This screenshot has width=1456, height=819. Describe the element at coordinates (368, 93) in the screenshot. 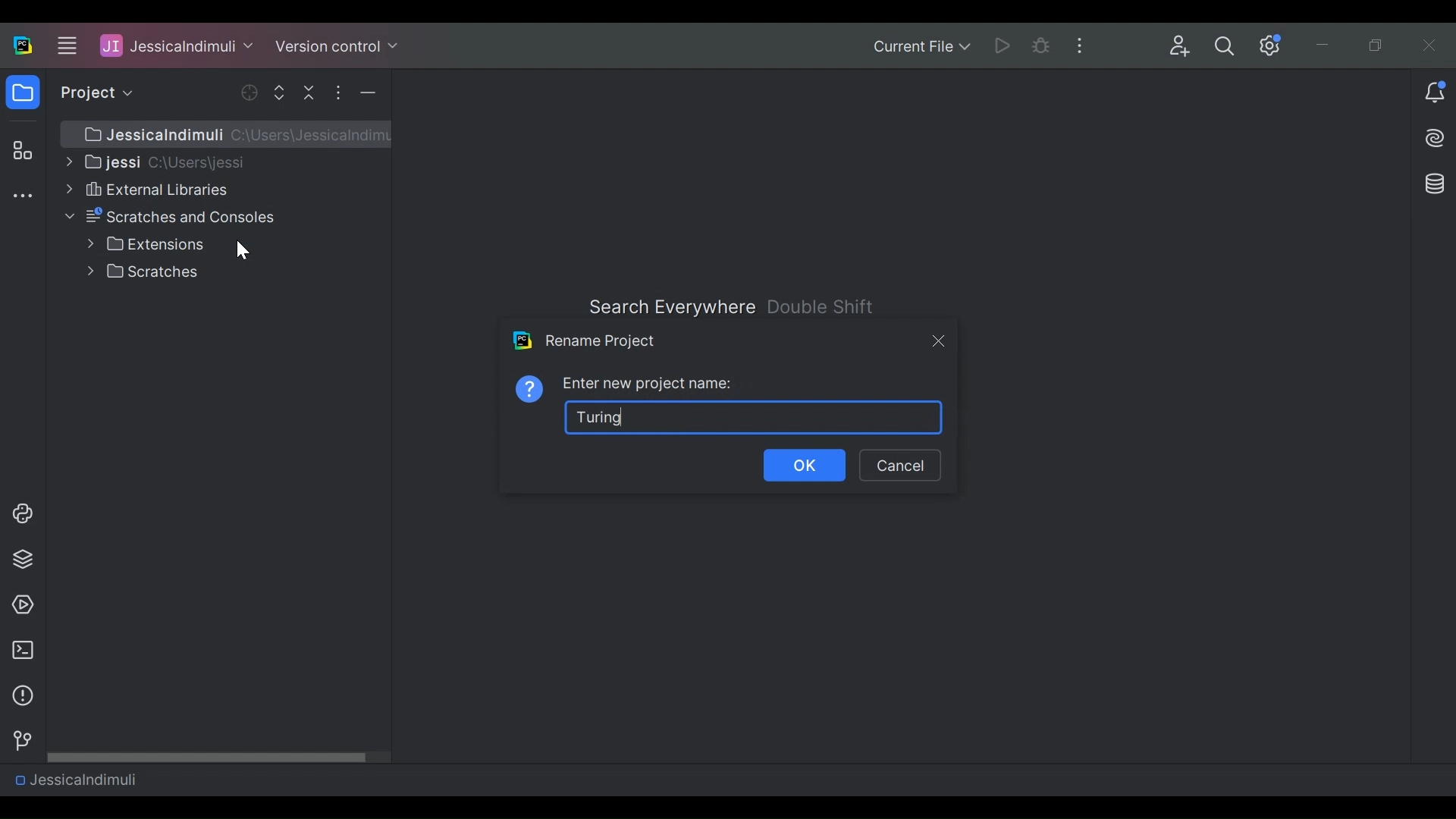

I see `Hide` at that location.